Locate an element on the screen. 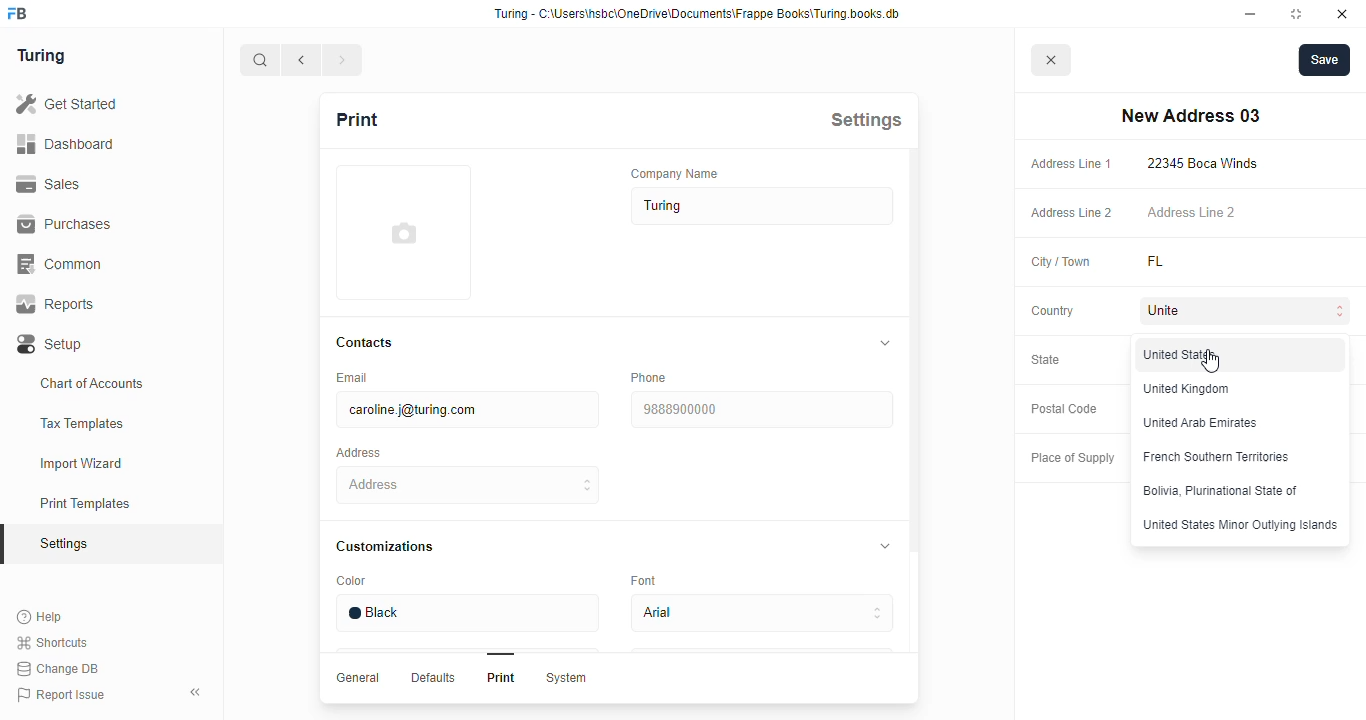 The height and width of the screenshot is (720, 1366). turing is located at coordinates (40, 55).